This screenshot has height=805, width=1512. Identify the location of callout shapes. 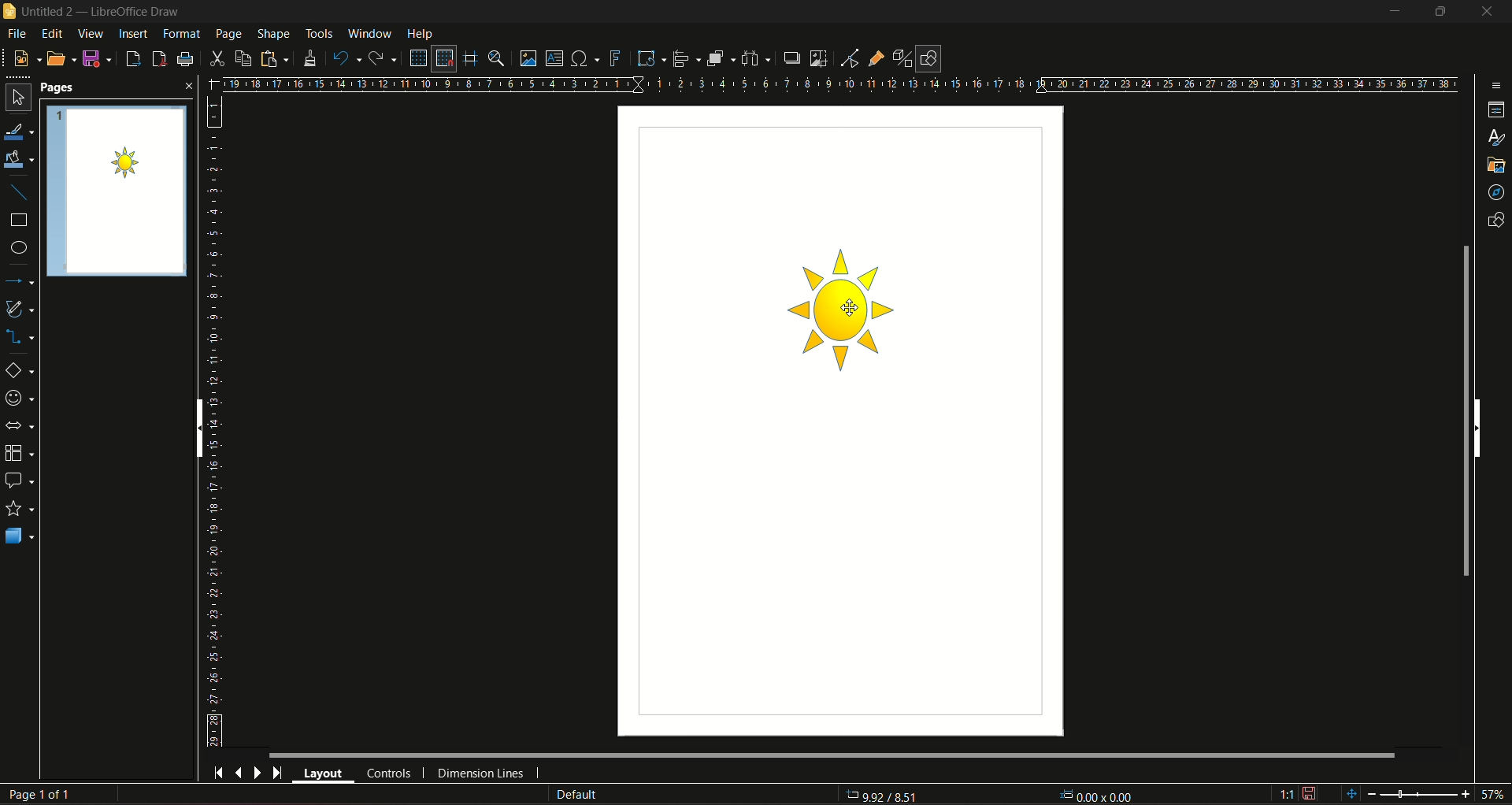
(20, 480).